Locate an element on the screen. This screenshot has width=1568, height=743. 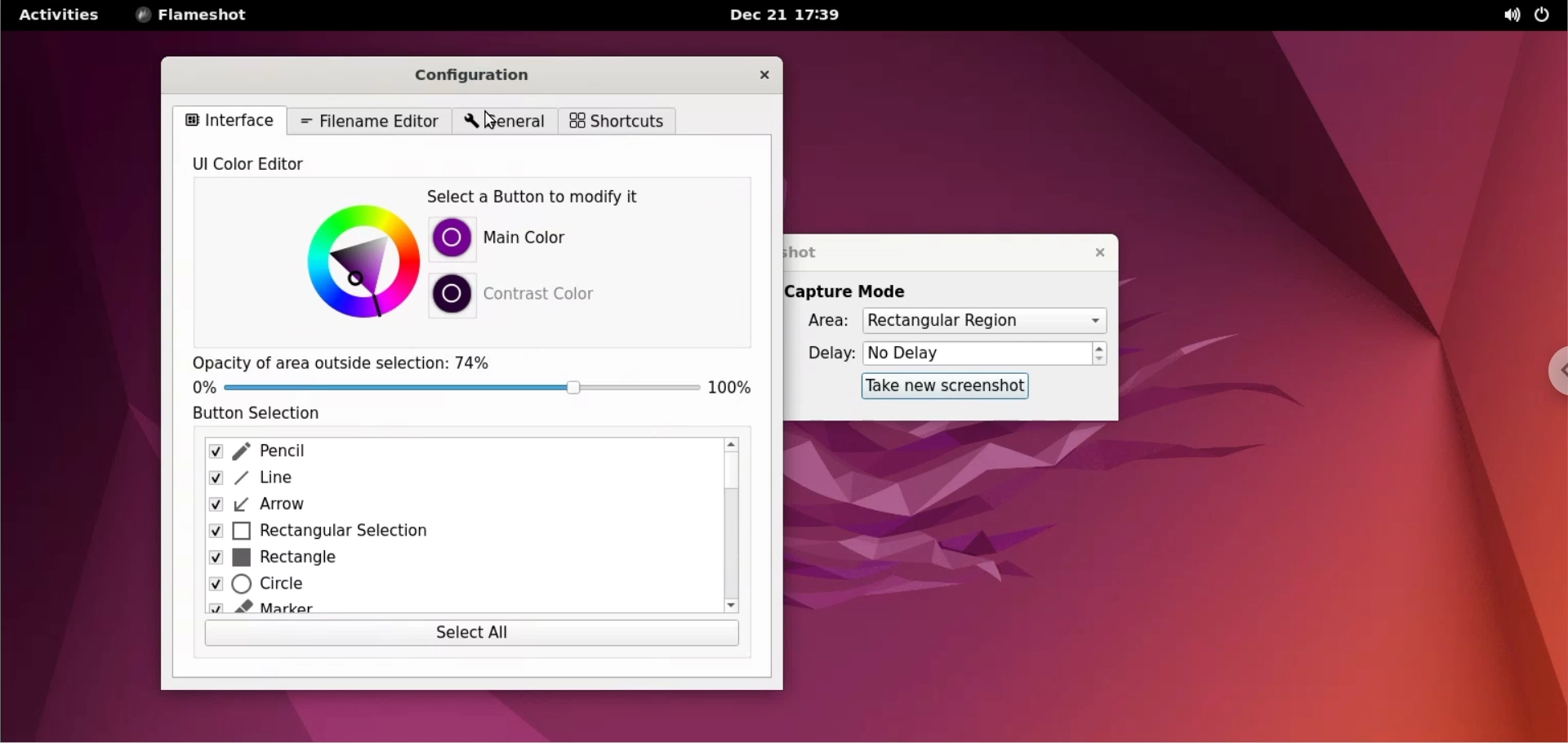
area: is located at coordinates (822, 323).